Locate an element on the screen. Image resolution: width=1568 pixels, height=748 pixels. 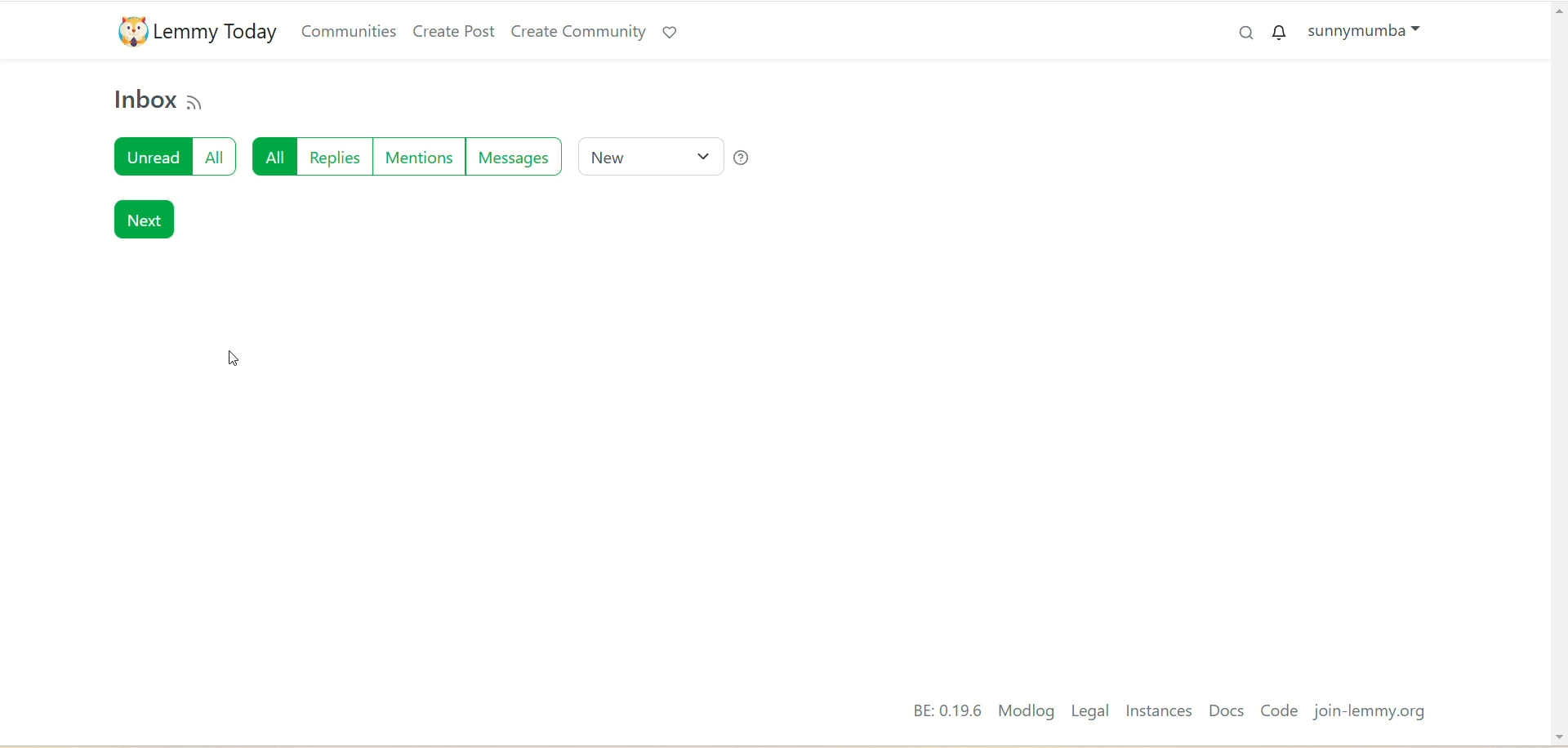
BE: 0.19.6 (version) is located at coordinates (938, 708).